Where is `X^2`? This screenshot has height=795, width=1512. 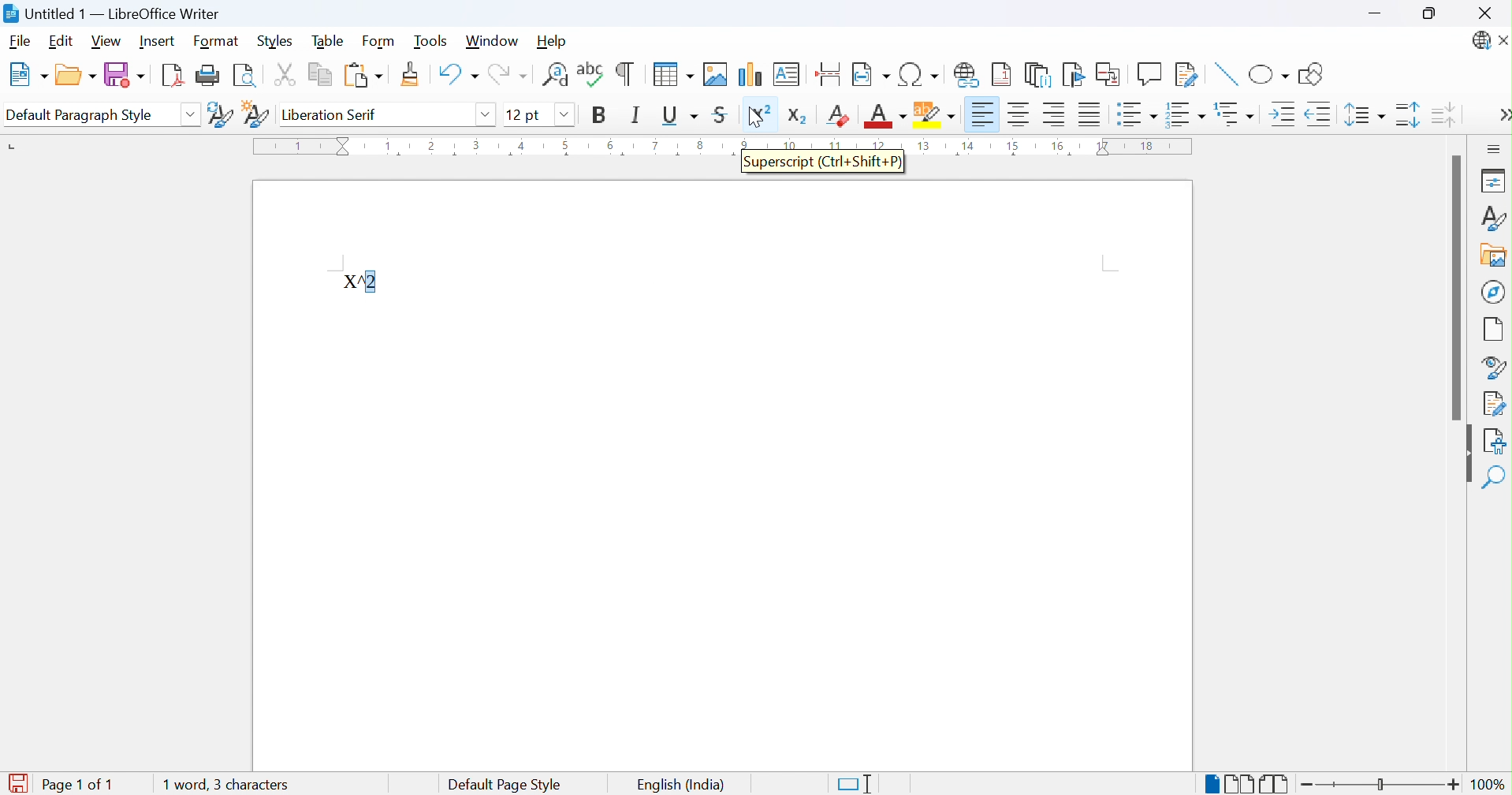
X^2 is located at coordinates (359, 282).